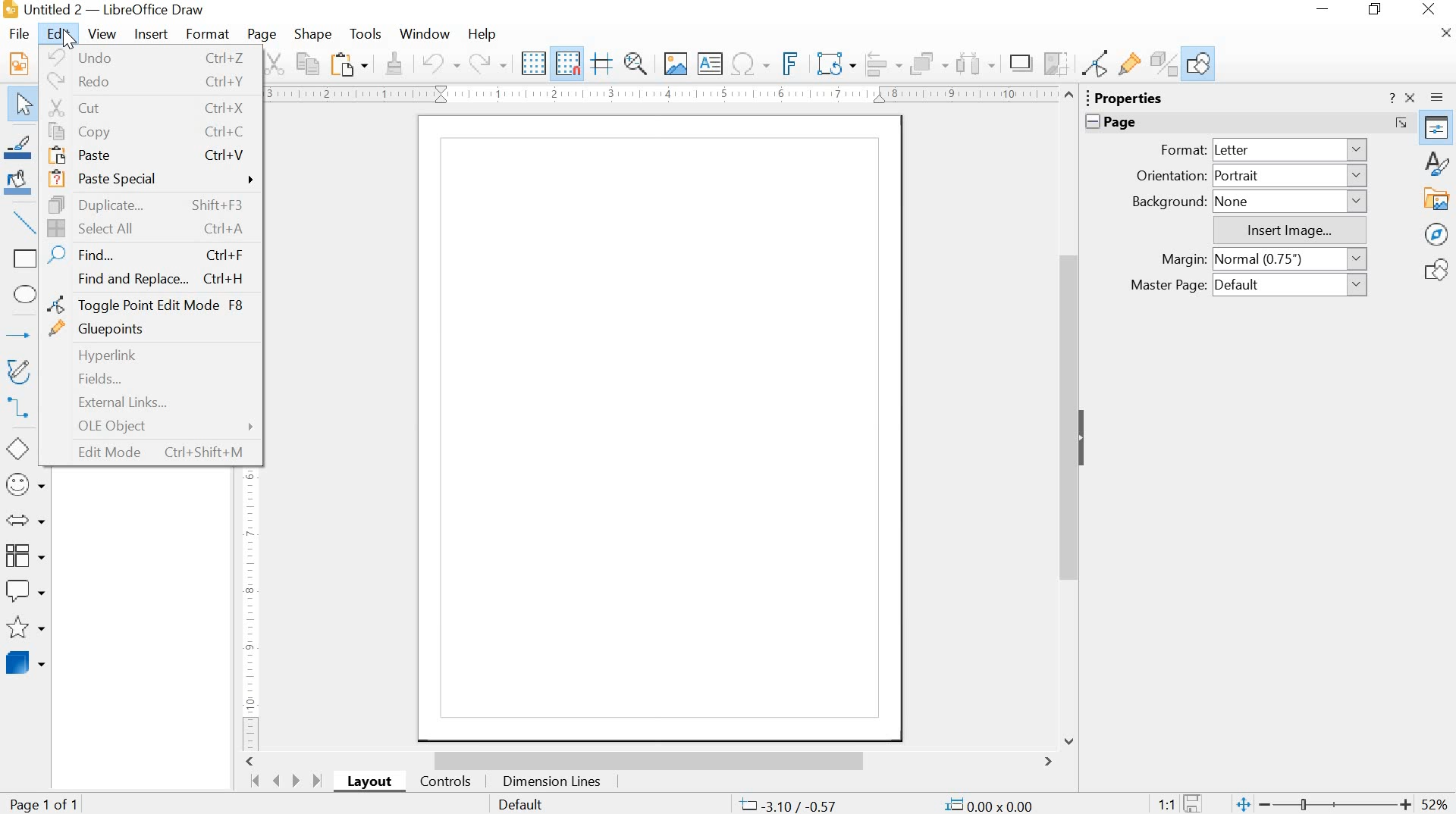 Image resolution: width=1456 pixels, height=814 pixels. Describe the element at coordinates (1186, 800) in the screenshot. I see `save` at that location.